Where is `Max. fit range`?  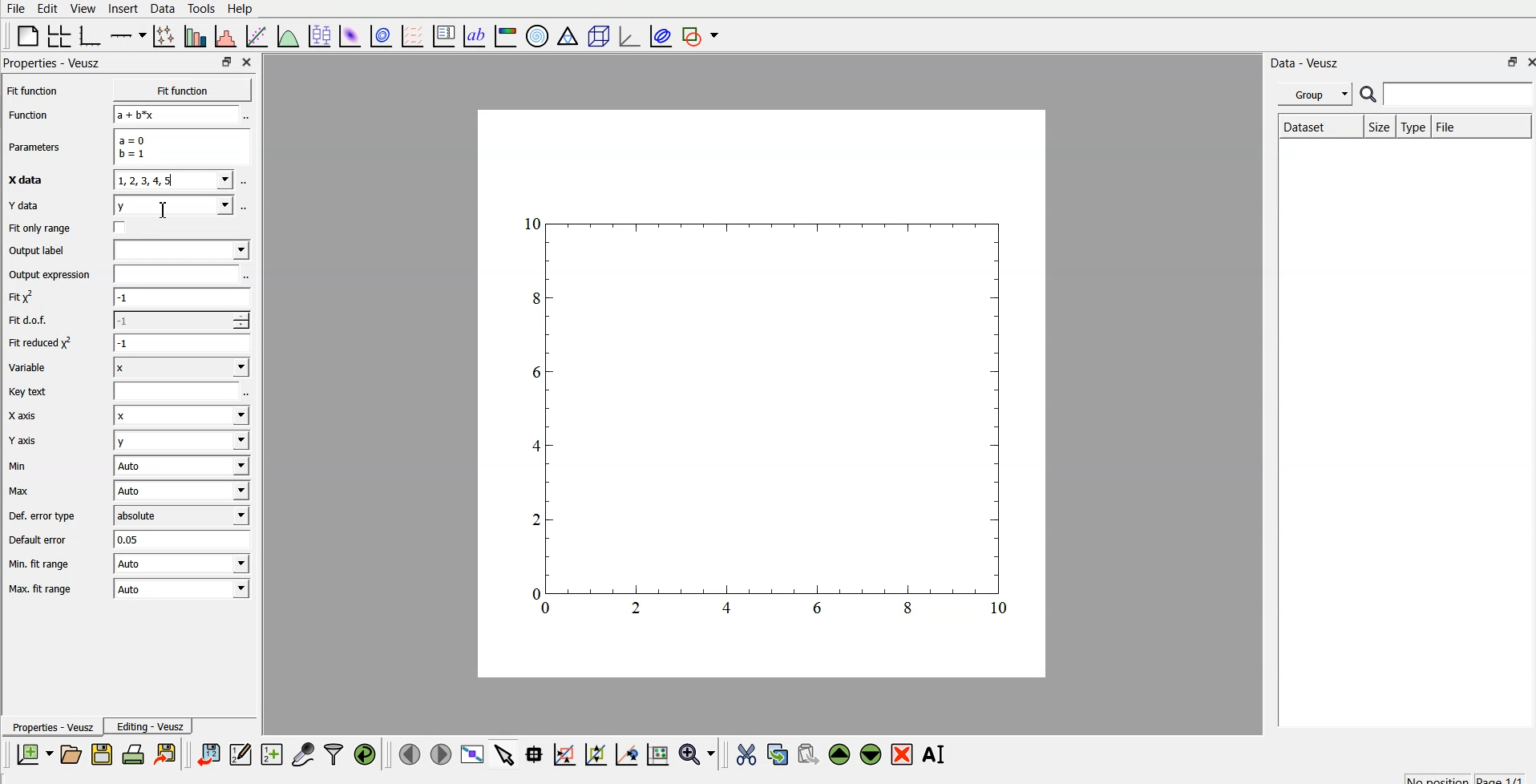
Max. fit range is located at coordinates (41, 590).